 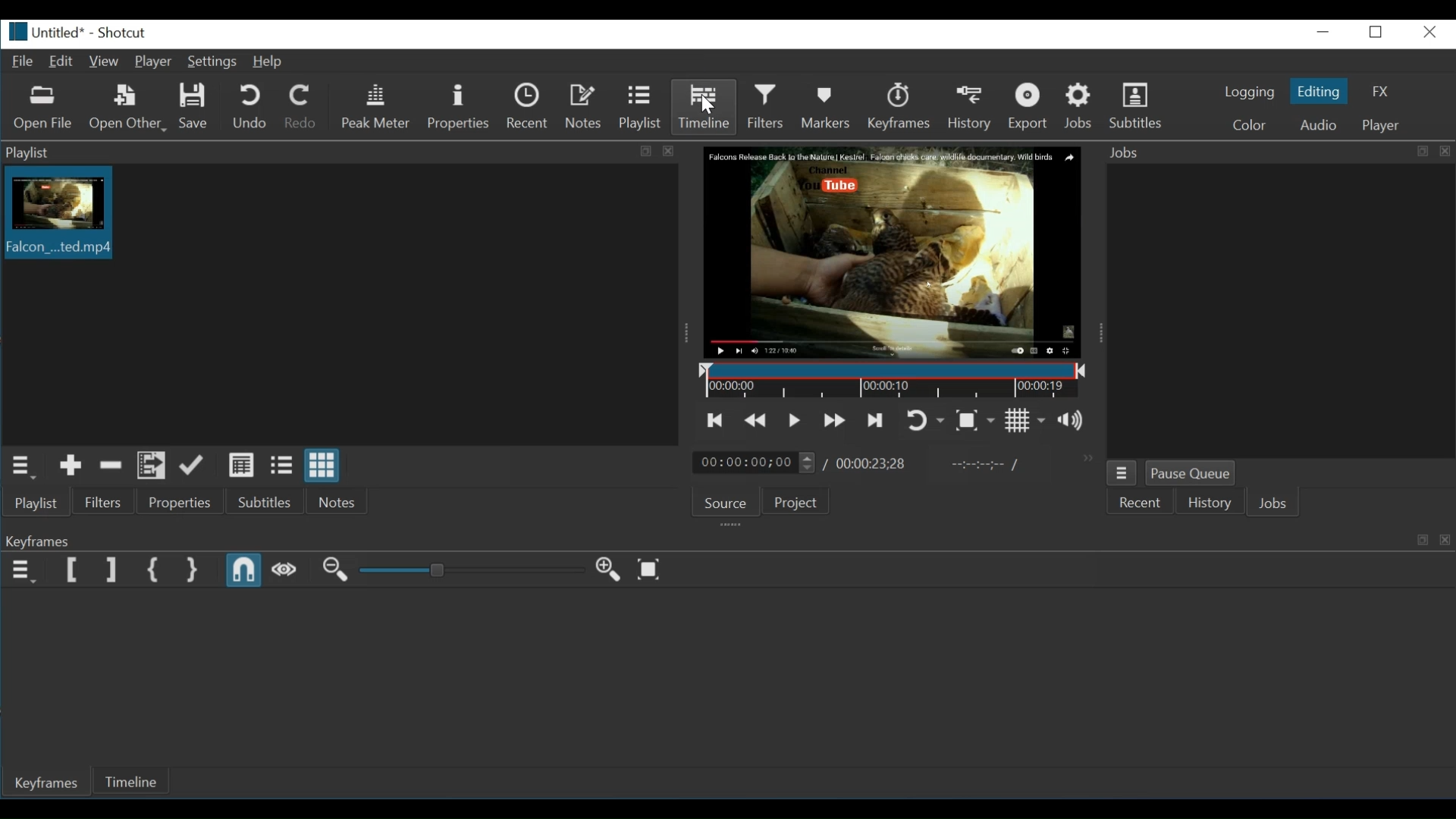 What do you see at coordinates (333, 570) in the screenshot?
I see `Zoom in Keyframe` at bounding box center [333, 570].